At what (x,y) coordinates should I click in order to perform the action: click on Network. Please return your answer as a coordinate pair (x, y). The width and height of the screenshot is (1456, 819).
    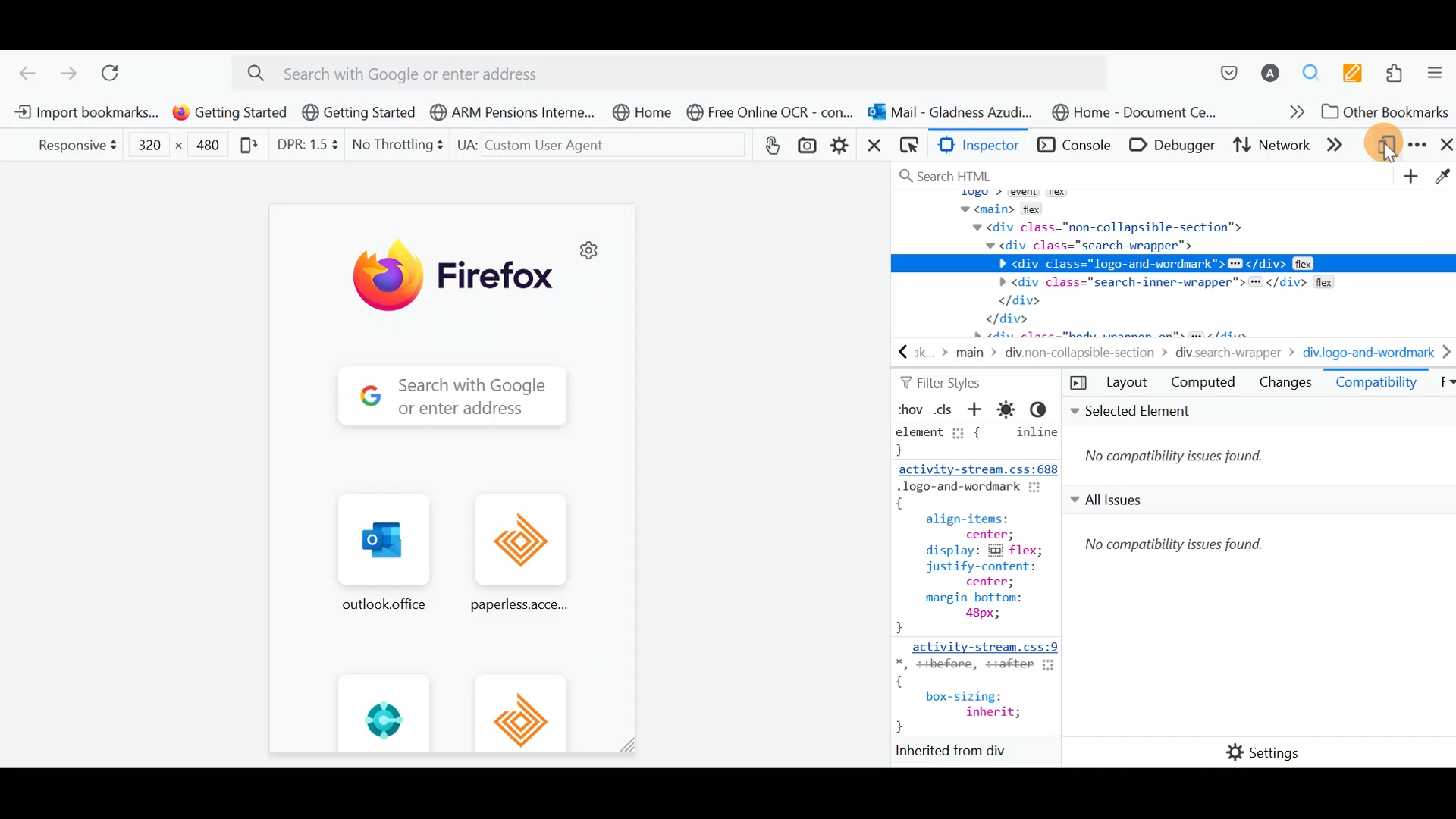
    Looking at the image, I should click on (1272, 148).